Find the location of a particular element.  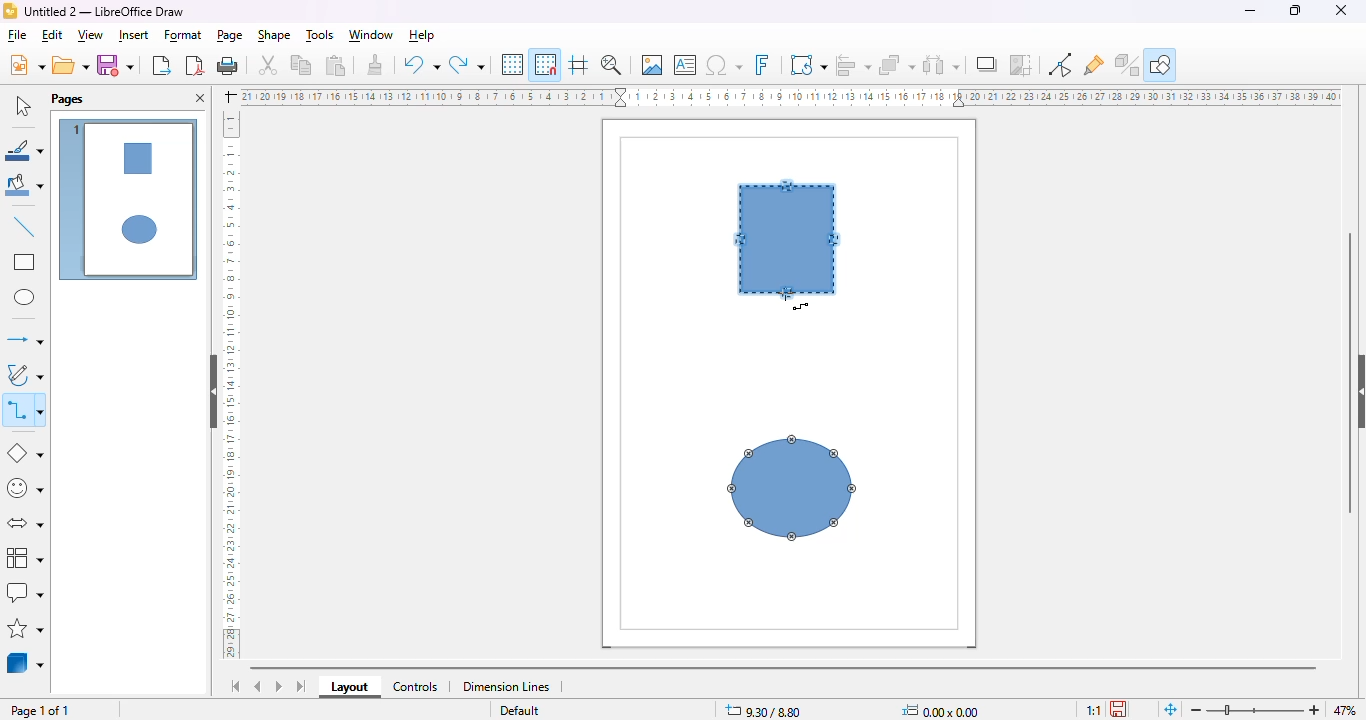

flowchart is located at coordinates (25, 557).